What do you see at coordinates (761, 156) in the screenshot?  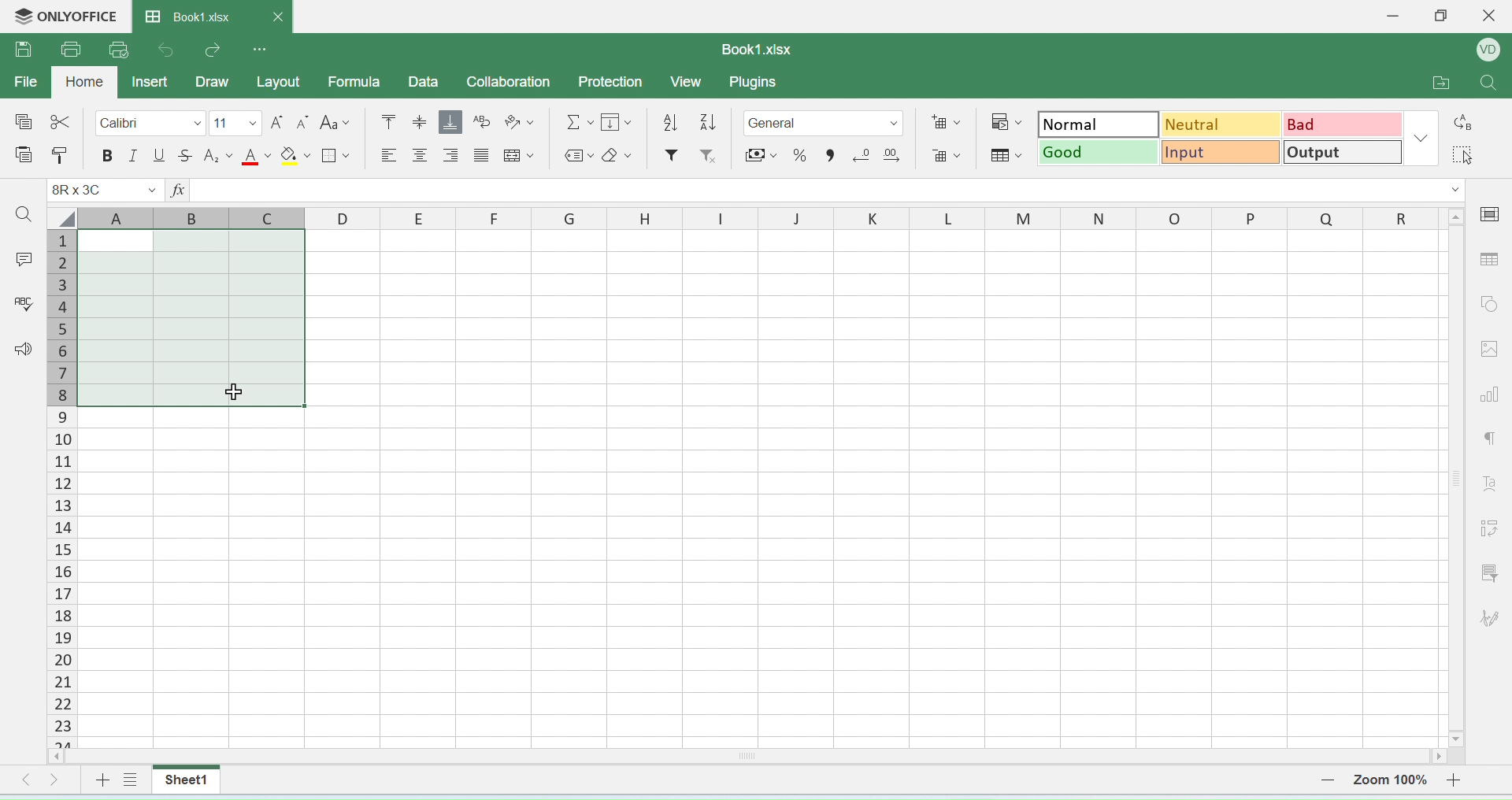 I see `` at bounding box center [761, 156].